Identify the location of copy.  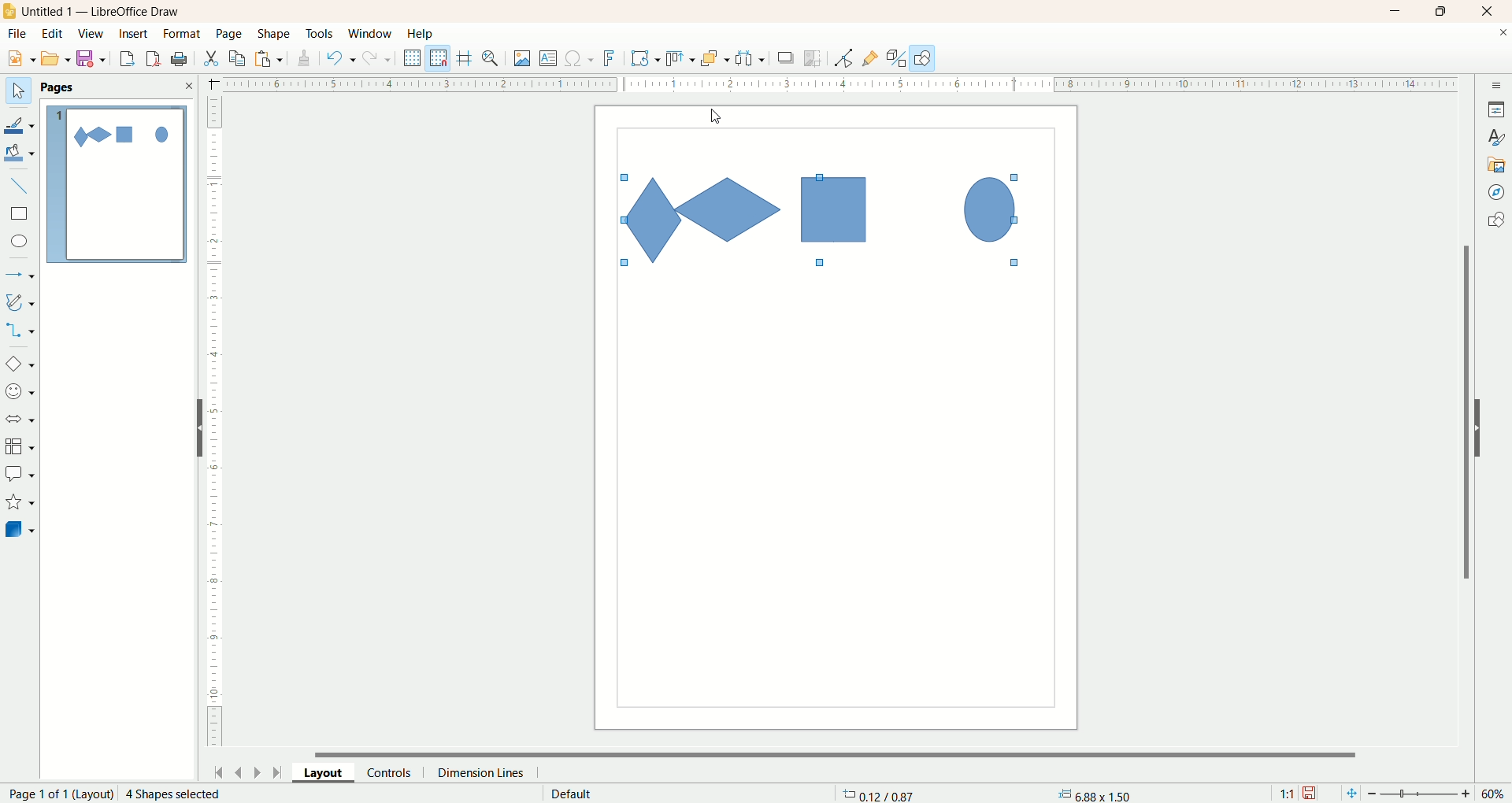
(238, 58).